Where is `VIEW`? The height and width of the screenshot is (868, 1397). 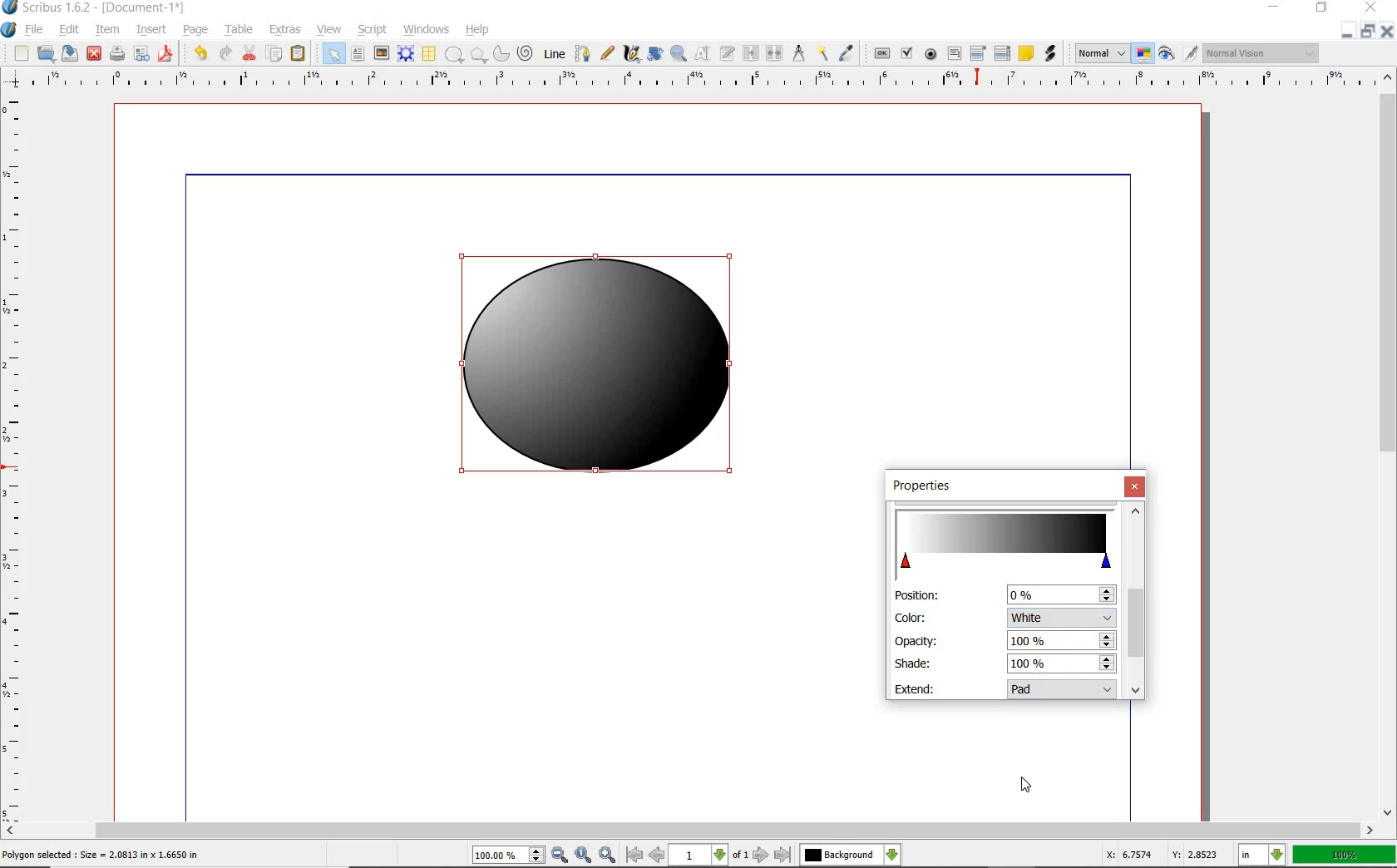
VIEW is located at coordinates (329, 28).